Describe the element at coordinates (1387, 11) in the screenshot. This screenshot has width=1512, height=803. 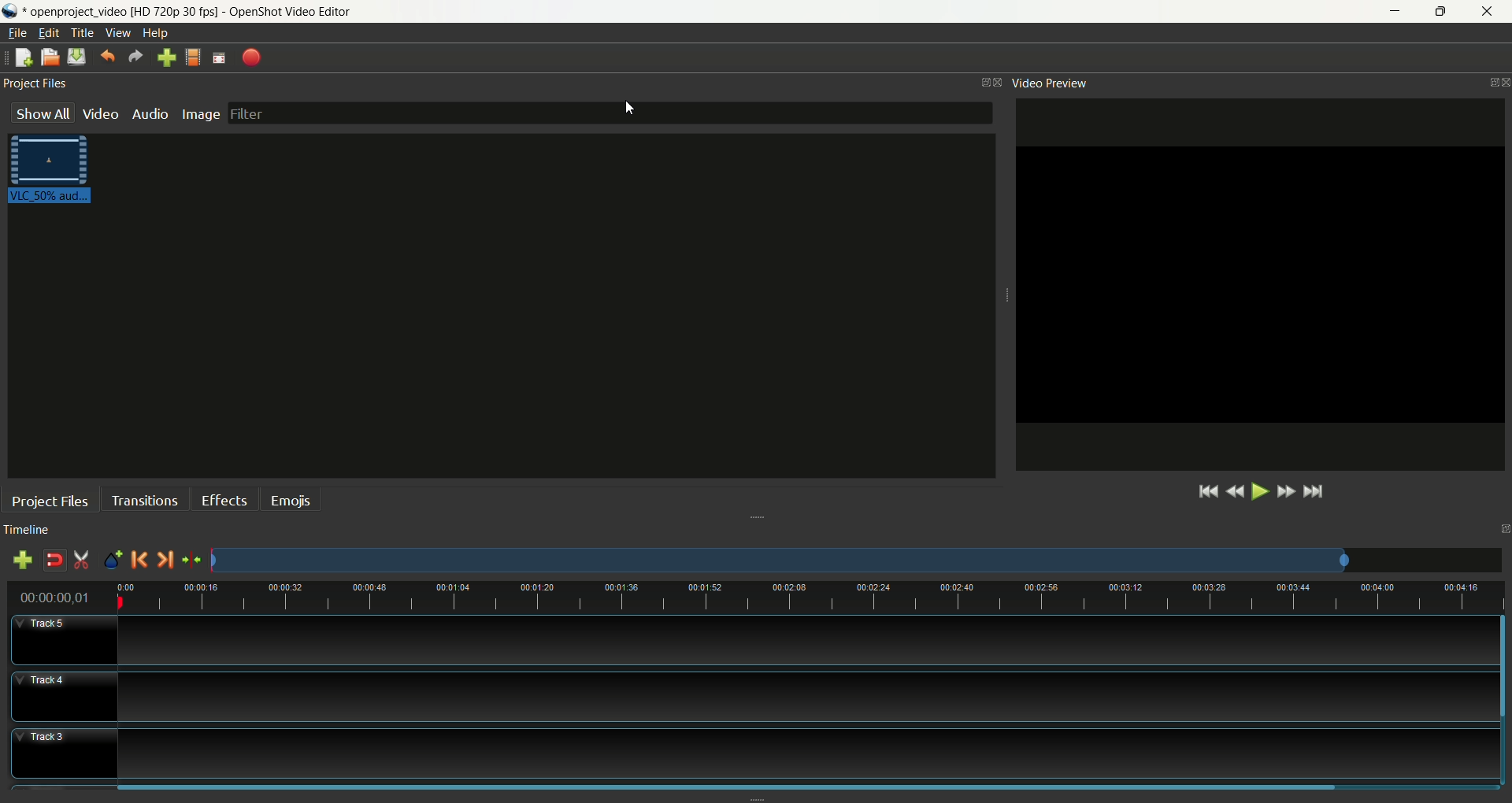
I see `minimize` at that location.